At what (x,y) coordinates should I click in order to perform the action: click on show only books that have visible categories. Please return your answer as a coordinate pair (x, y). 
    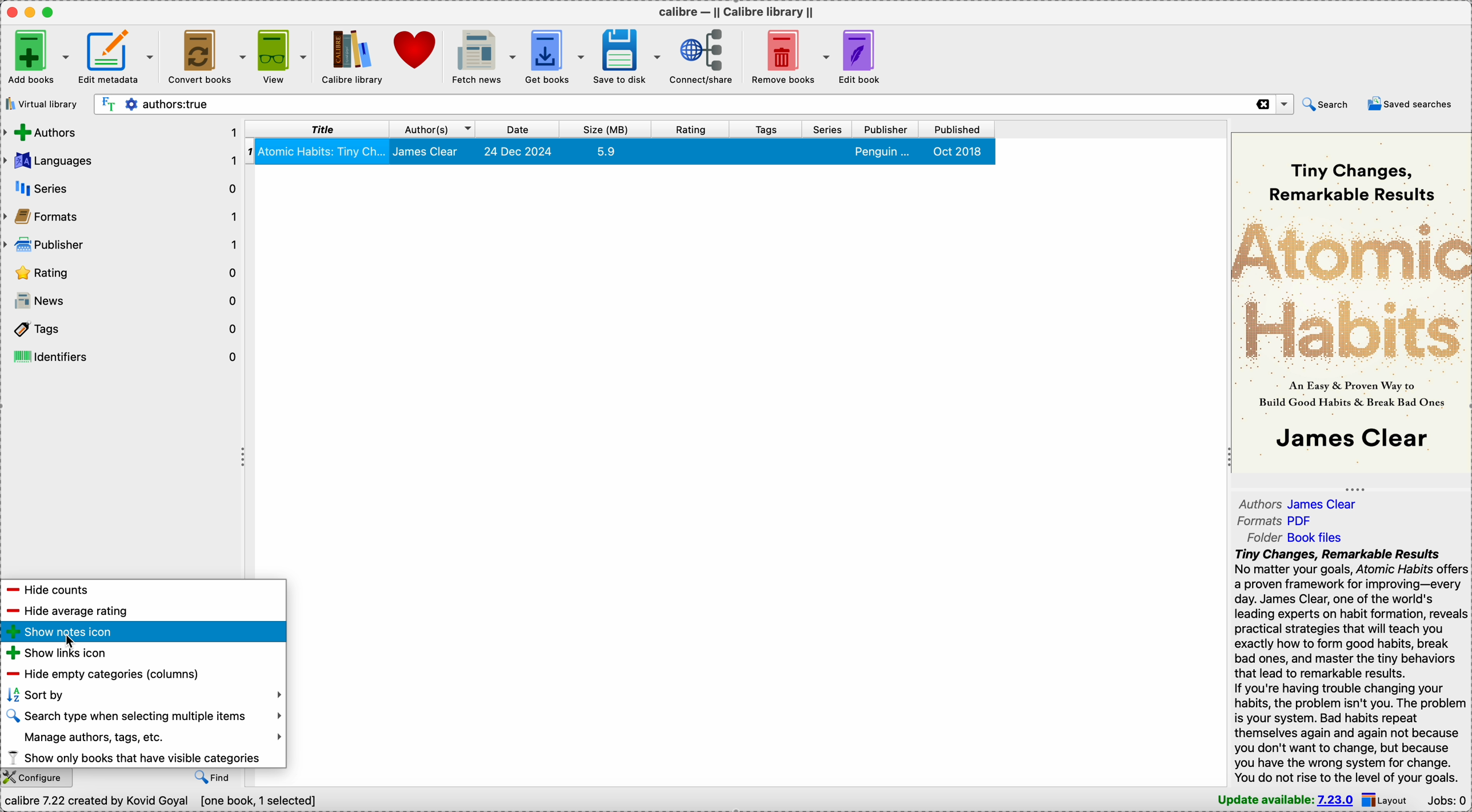
    Looking at the image, I should click on (137, 758).